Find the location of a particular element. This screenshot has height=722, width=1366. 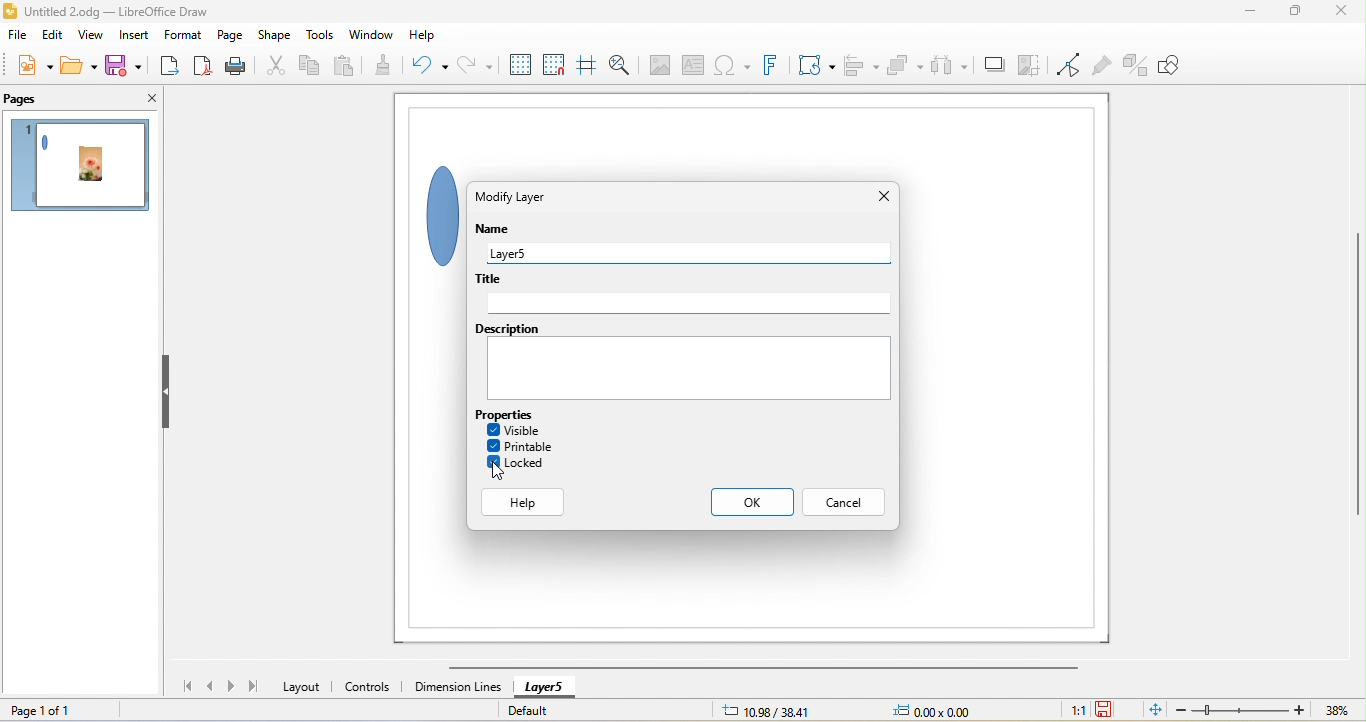

description is located at coordinates (682, 360).